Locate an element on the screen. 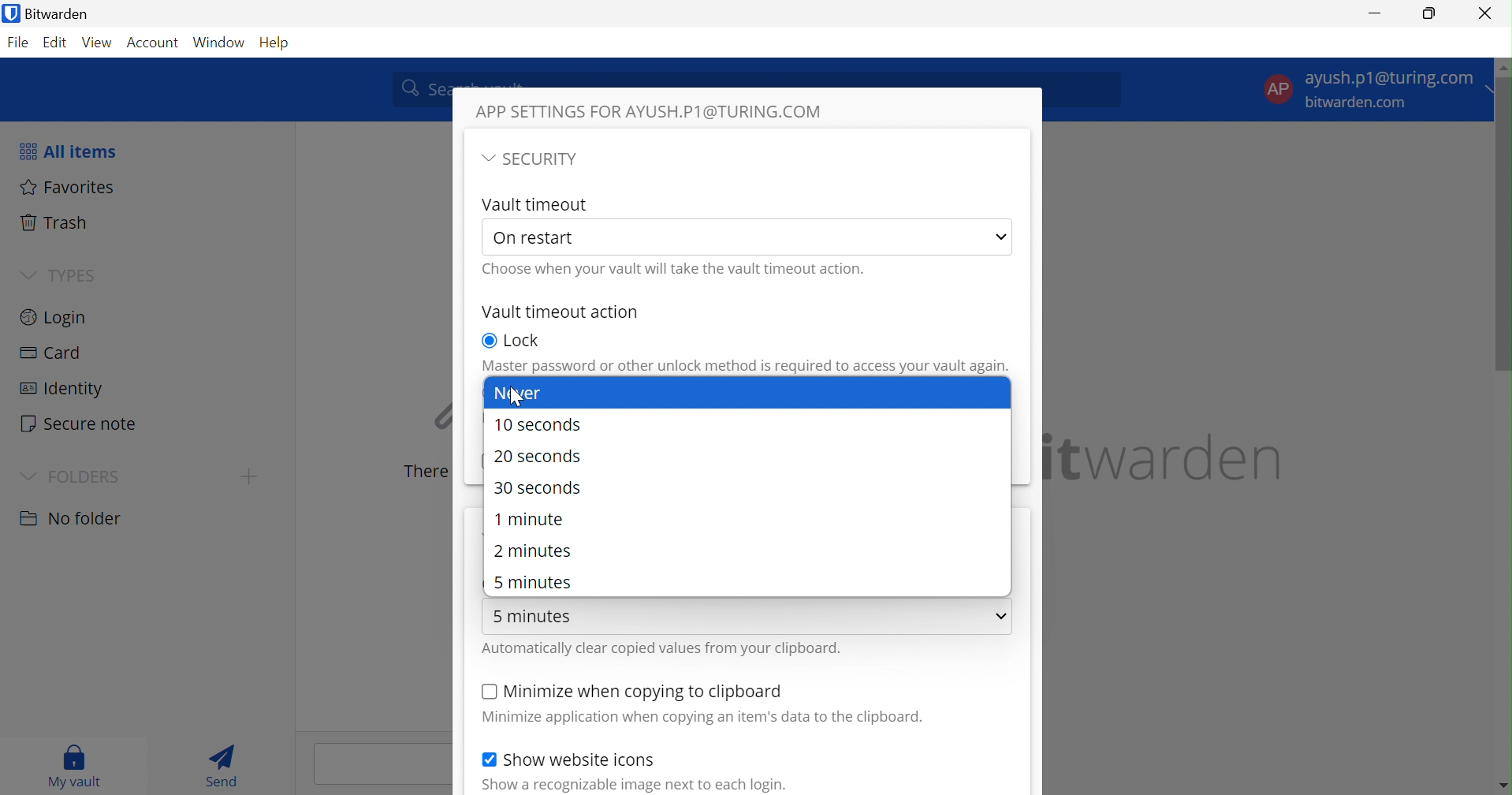  scrollbar is located at coordinates (1503, 227).